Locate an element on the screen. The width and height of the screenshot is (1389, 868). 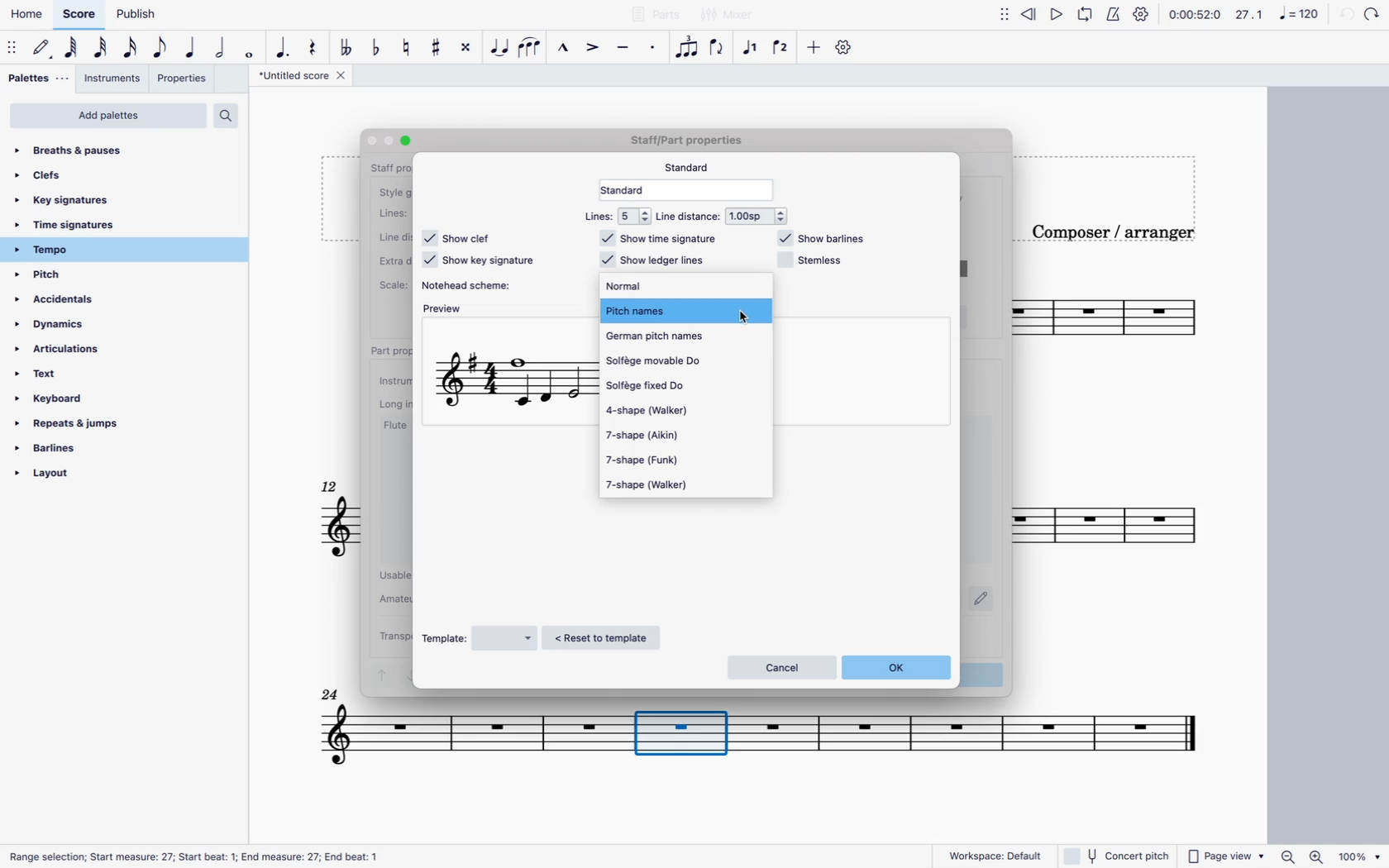
composer / arranger is located at coordinates (1119, 230).